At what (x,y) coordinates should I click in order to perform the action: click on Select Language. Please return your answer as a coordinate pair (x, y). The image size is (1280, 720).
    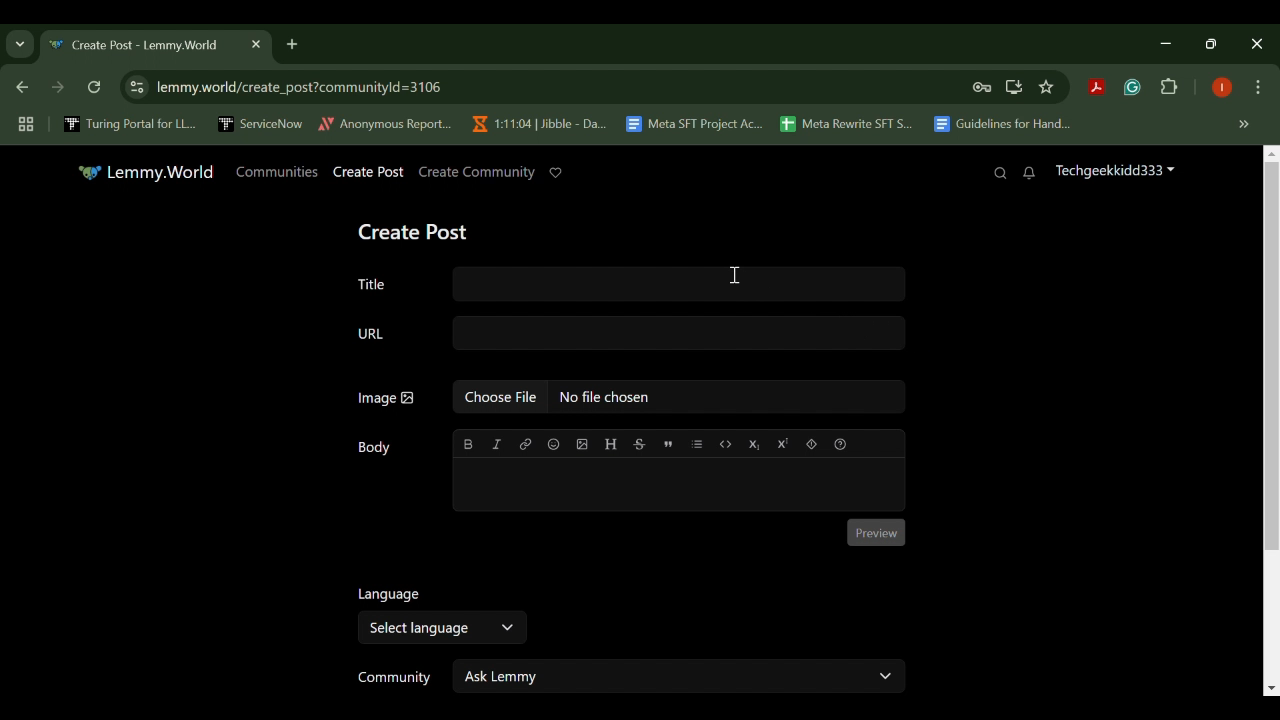
    Looking at the image, I should click on (440, 628).